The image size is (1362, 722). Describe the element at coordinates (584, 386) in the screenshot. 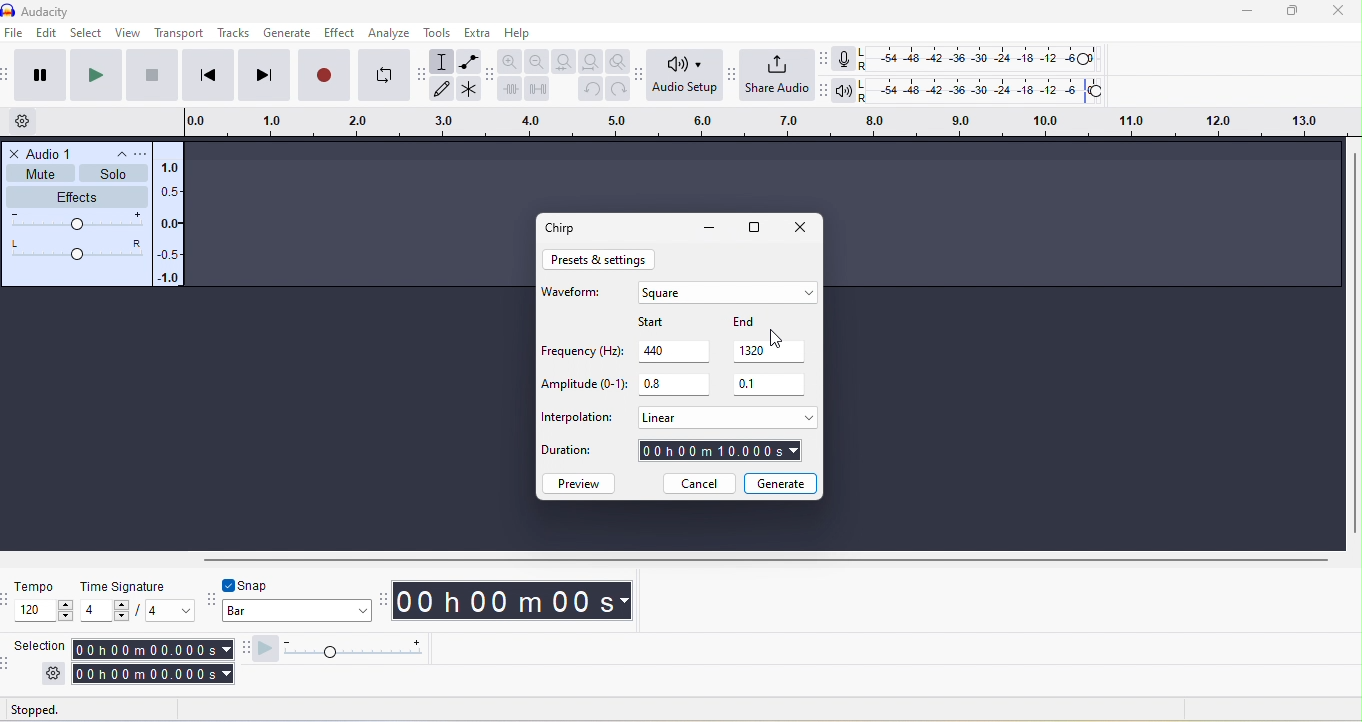

I see `amplitude (0-1): ` at that location.